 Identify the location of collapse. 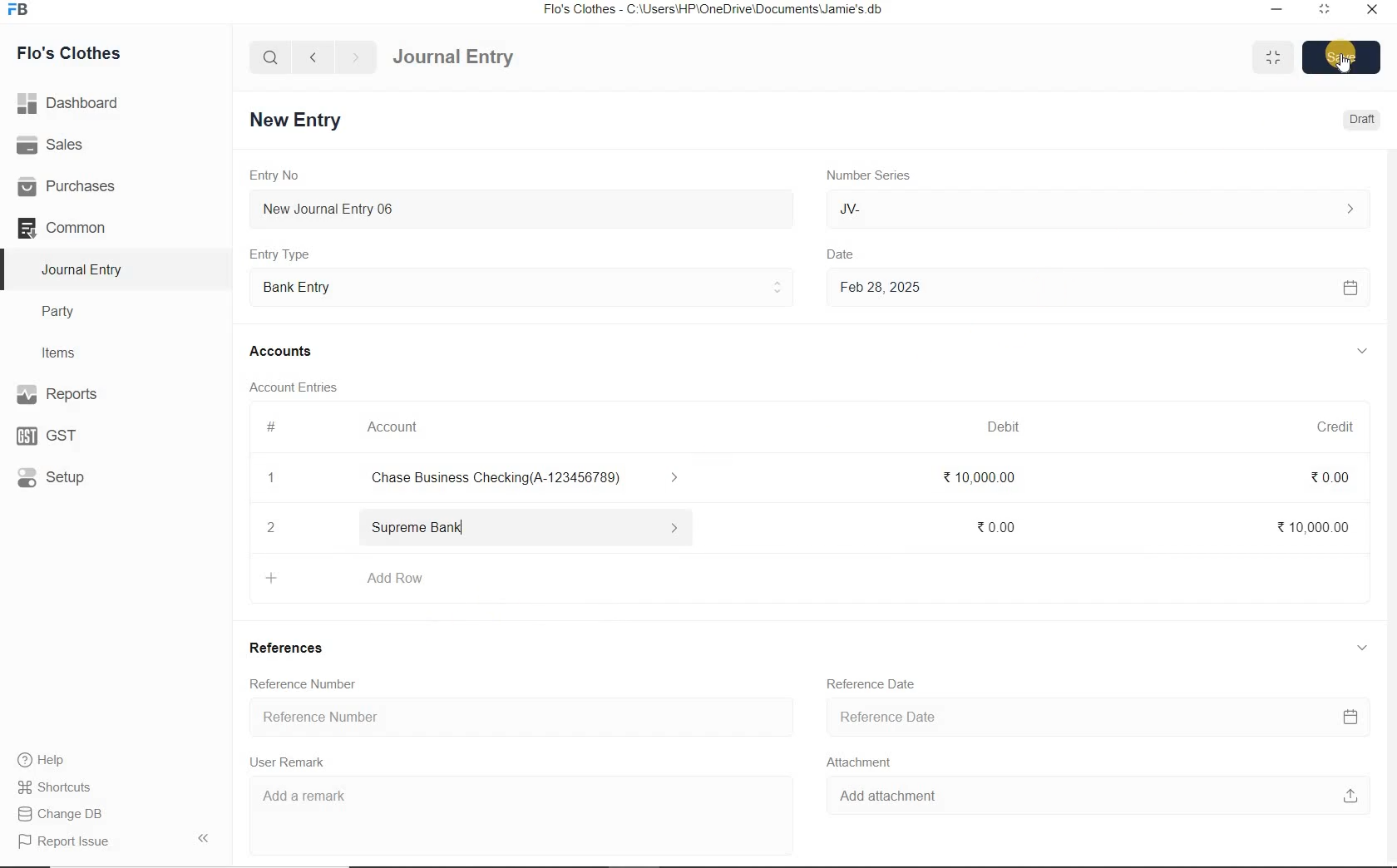
(1362, 351).